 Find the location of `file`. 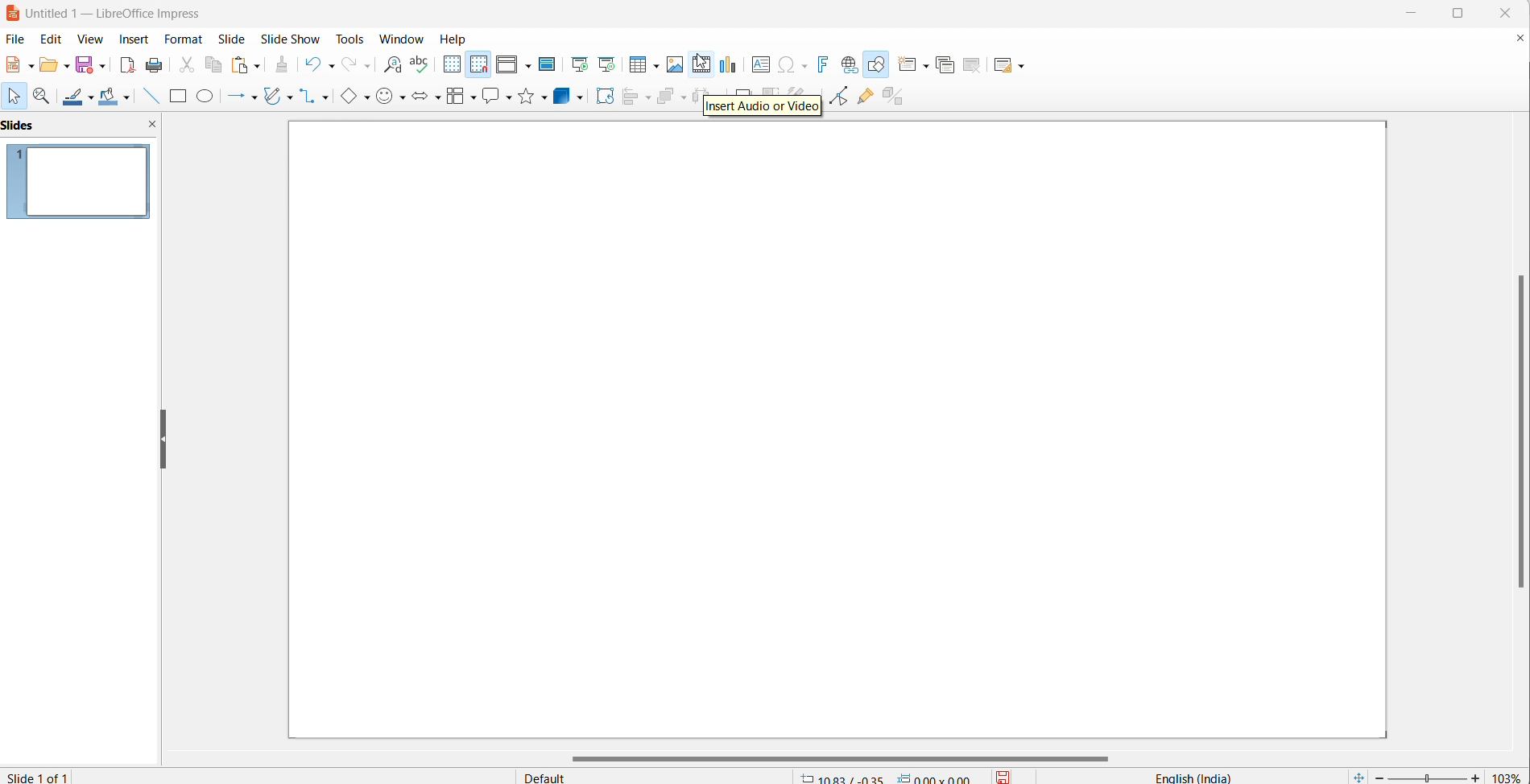

file is located at coordinates (18, 39).